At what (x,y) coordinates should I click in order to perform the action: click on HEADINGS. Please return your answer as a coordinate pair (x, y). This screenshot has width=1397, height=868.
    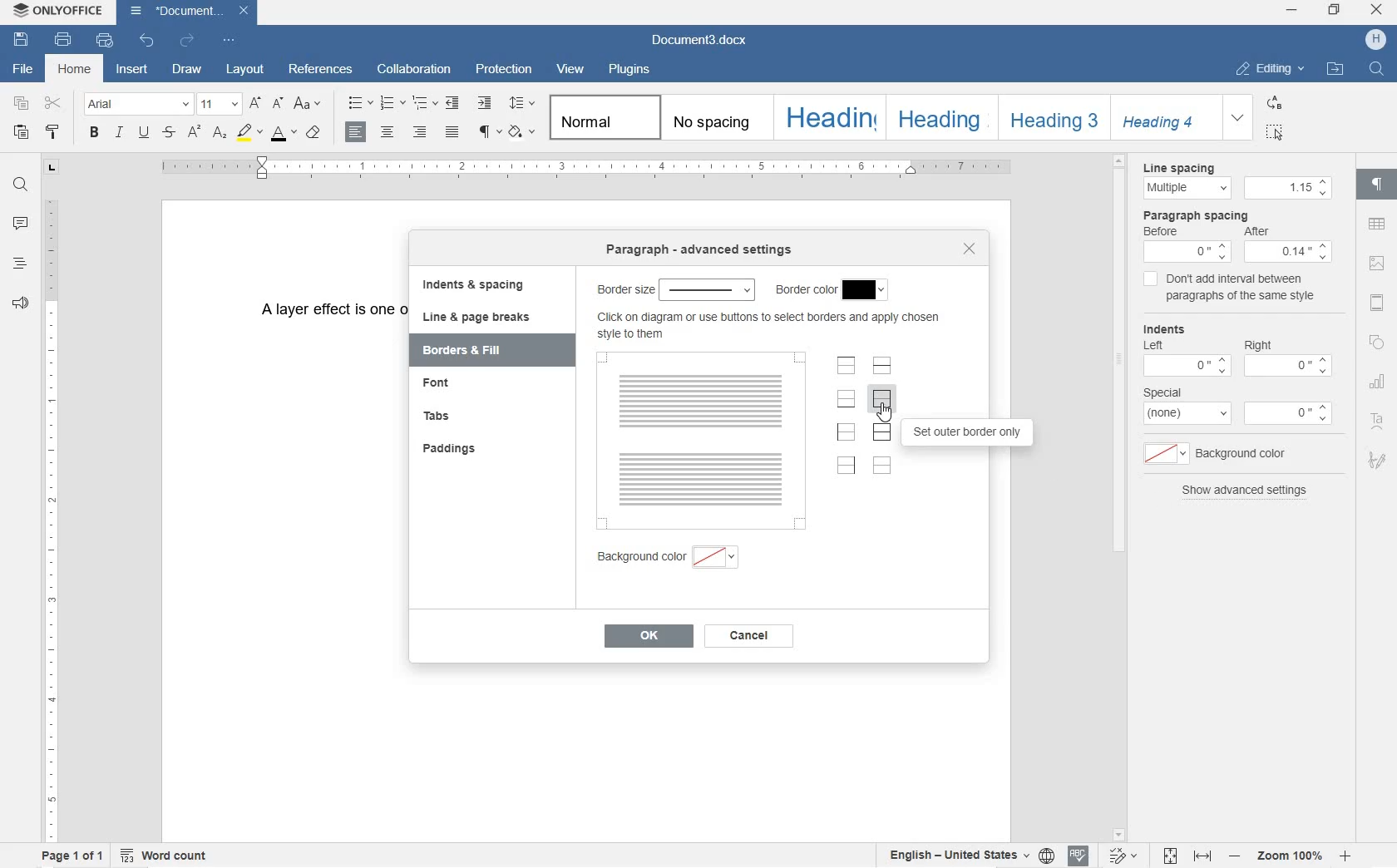
    Looking at the image, I should click on (19, 265).